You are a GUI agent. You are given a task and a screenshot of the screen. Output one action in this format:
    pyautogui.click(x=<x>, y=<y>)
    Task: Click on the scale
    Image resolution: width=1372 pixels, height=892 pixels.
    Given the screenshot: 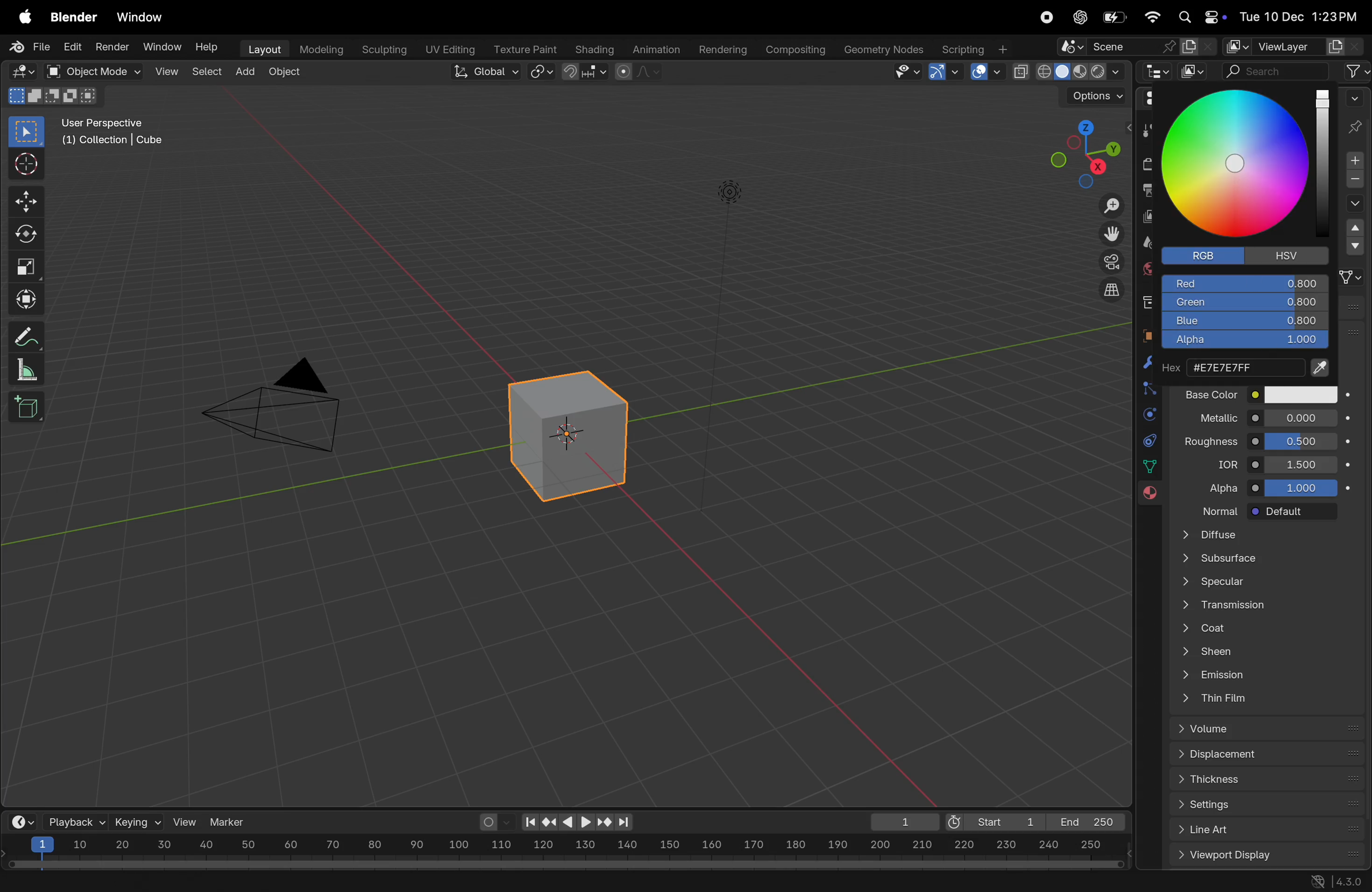 What is the action you would take?
    pyautogui.click(x=564, y=846)
    